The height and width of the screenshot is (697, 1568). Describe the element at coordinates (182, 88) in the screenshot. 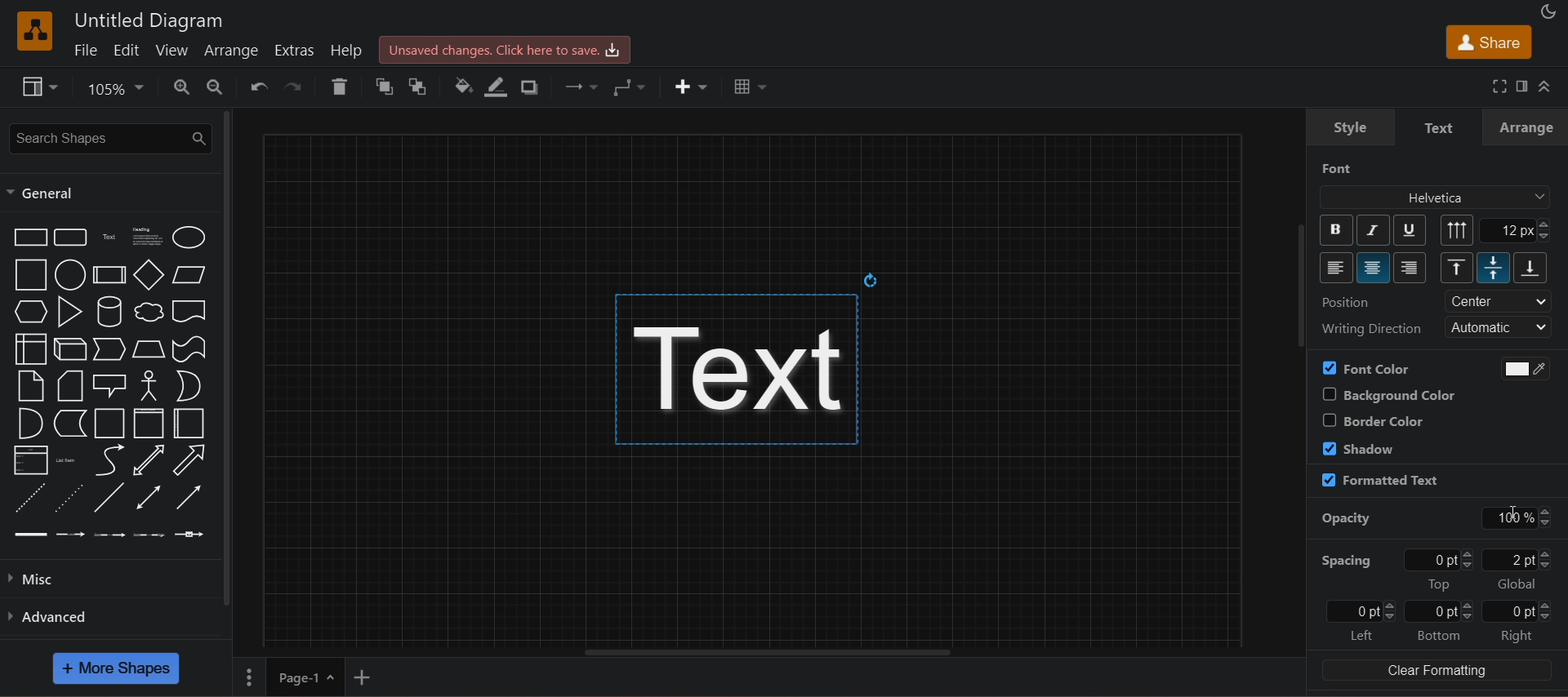

I see `zoom in` at that location.